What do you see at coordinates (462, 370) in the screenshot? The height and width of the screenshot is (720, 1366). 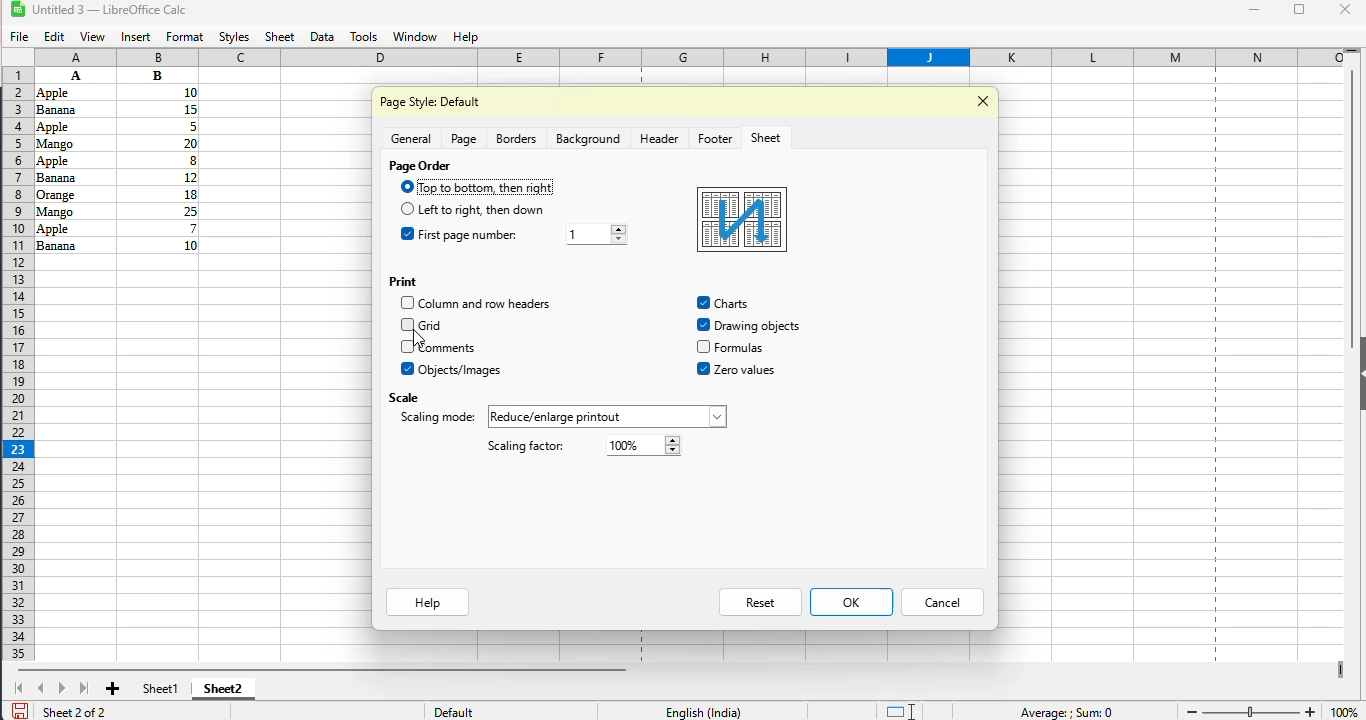 I see `objects/images` at bounding box center [462, 370].